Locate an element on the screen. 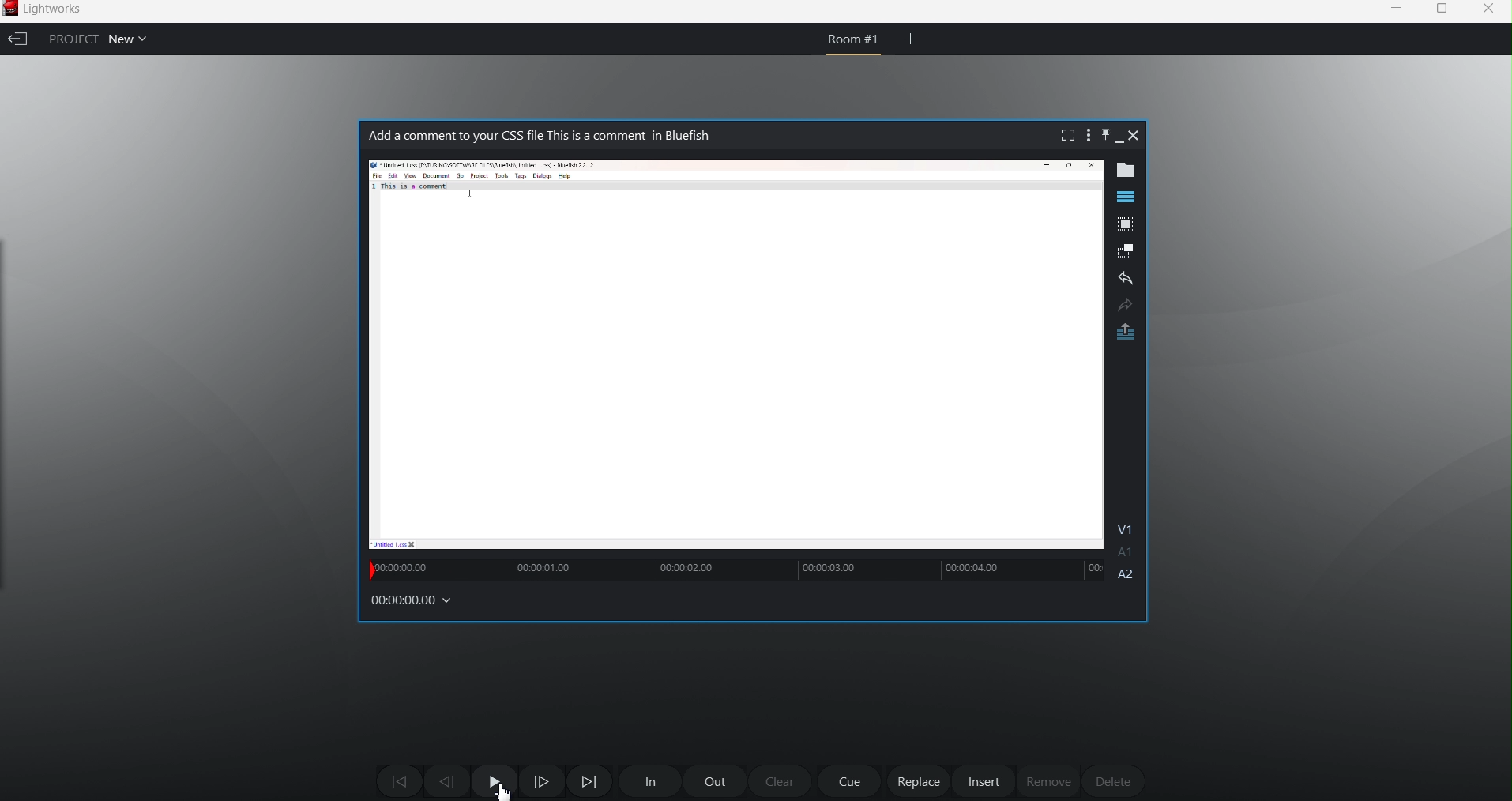  fullscreen is located at coordinates (1063, 135).